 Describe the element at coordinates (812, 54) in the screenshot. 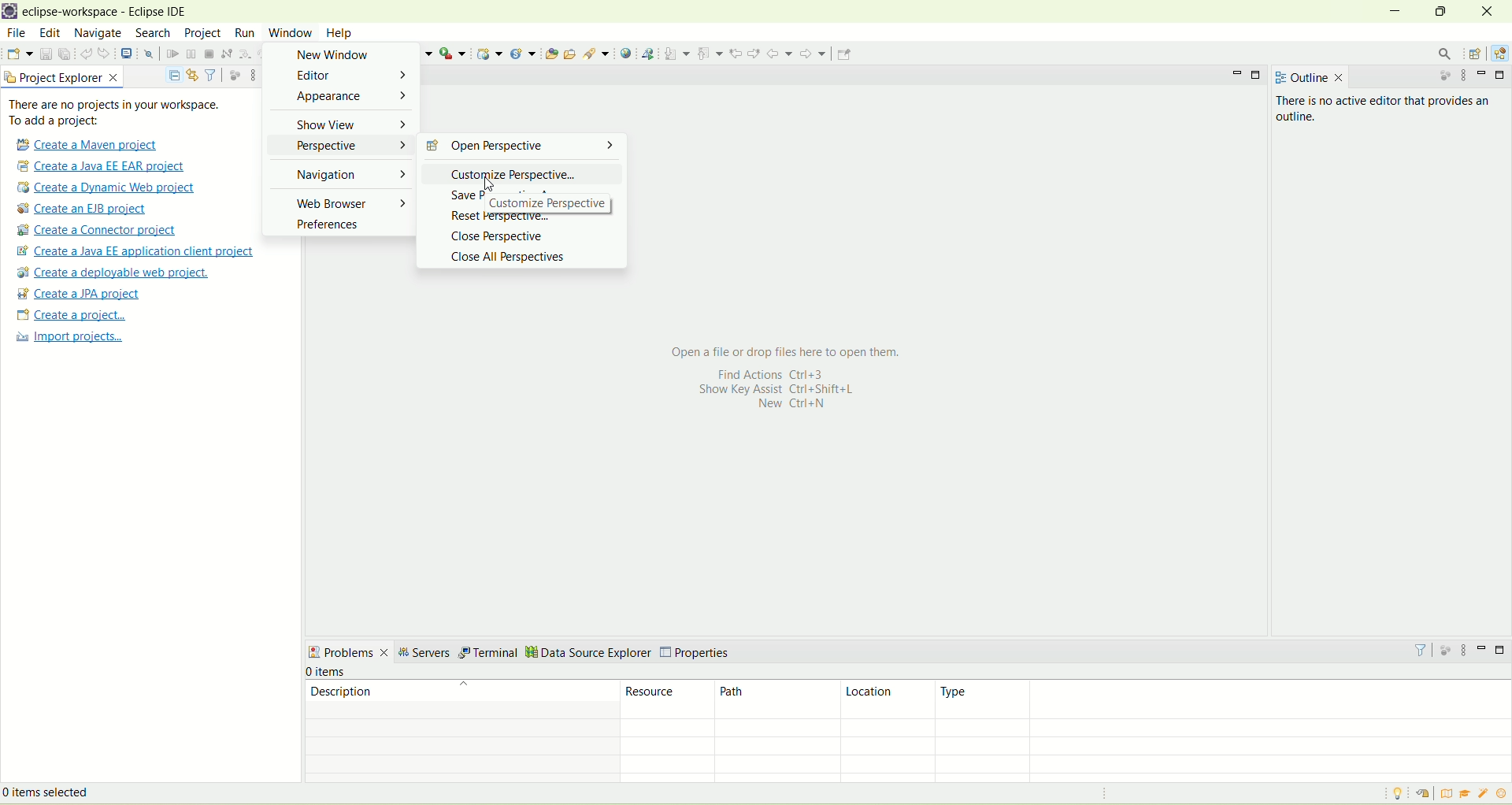

I see `forward` at that location.